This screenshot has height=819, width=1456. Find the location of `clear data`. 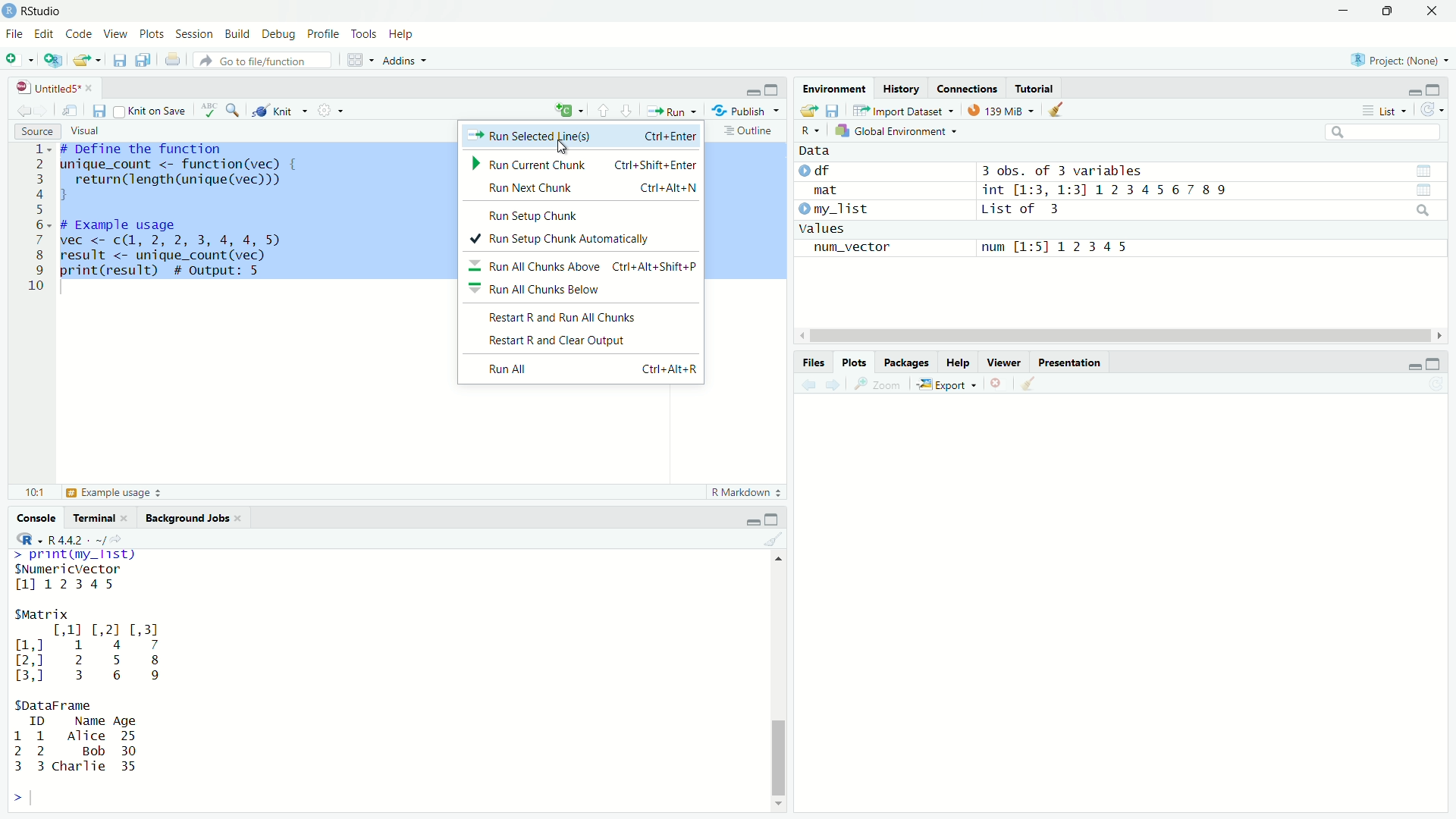

clear data is located at coordinates (1058, 110).